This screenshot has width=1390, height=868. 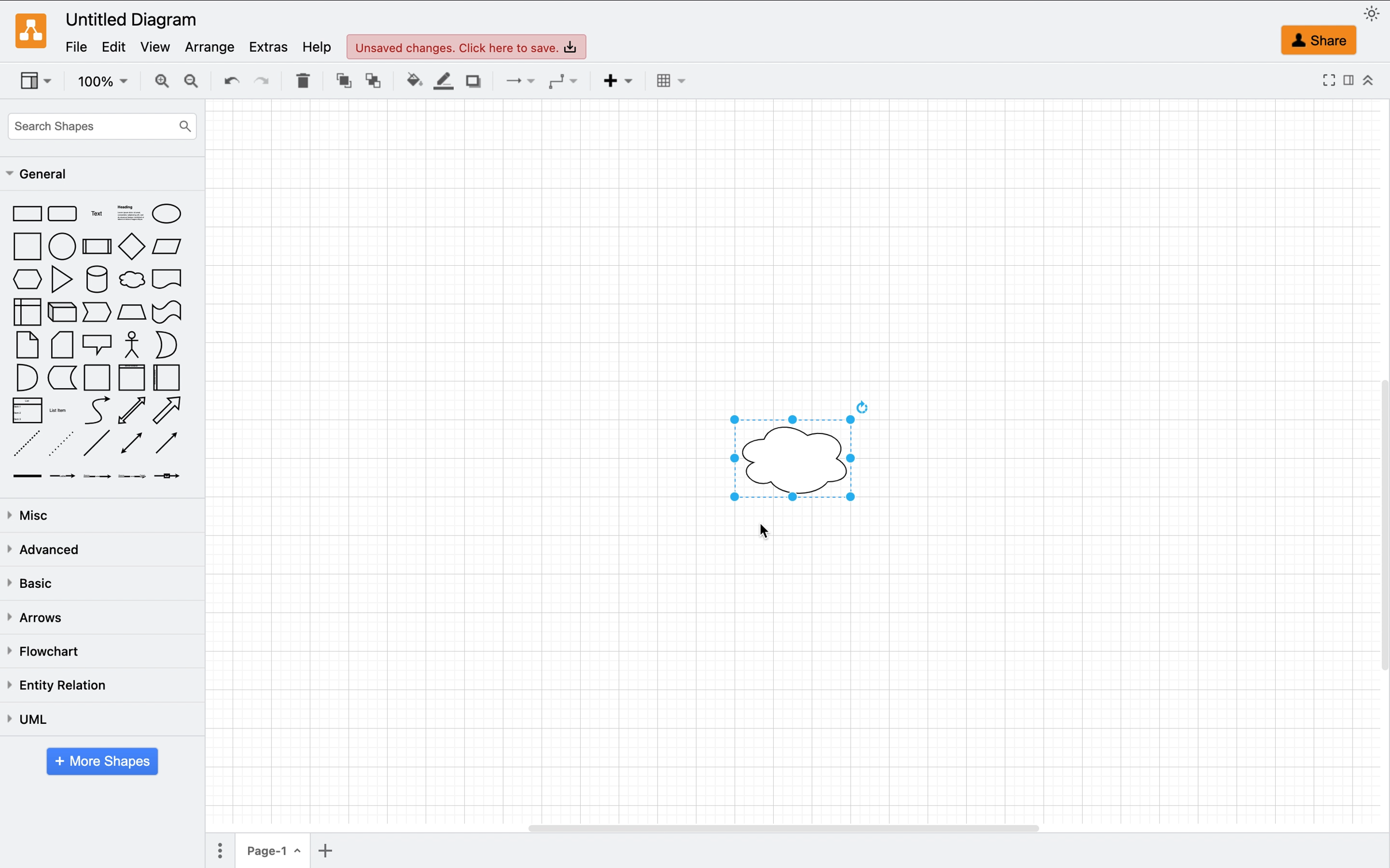 What do you see at coordinates (28, 410) in the screenshot?
I see `list` at bounding box center [28, 410].